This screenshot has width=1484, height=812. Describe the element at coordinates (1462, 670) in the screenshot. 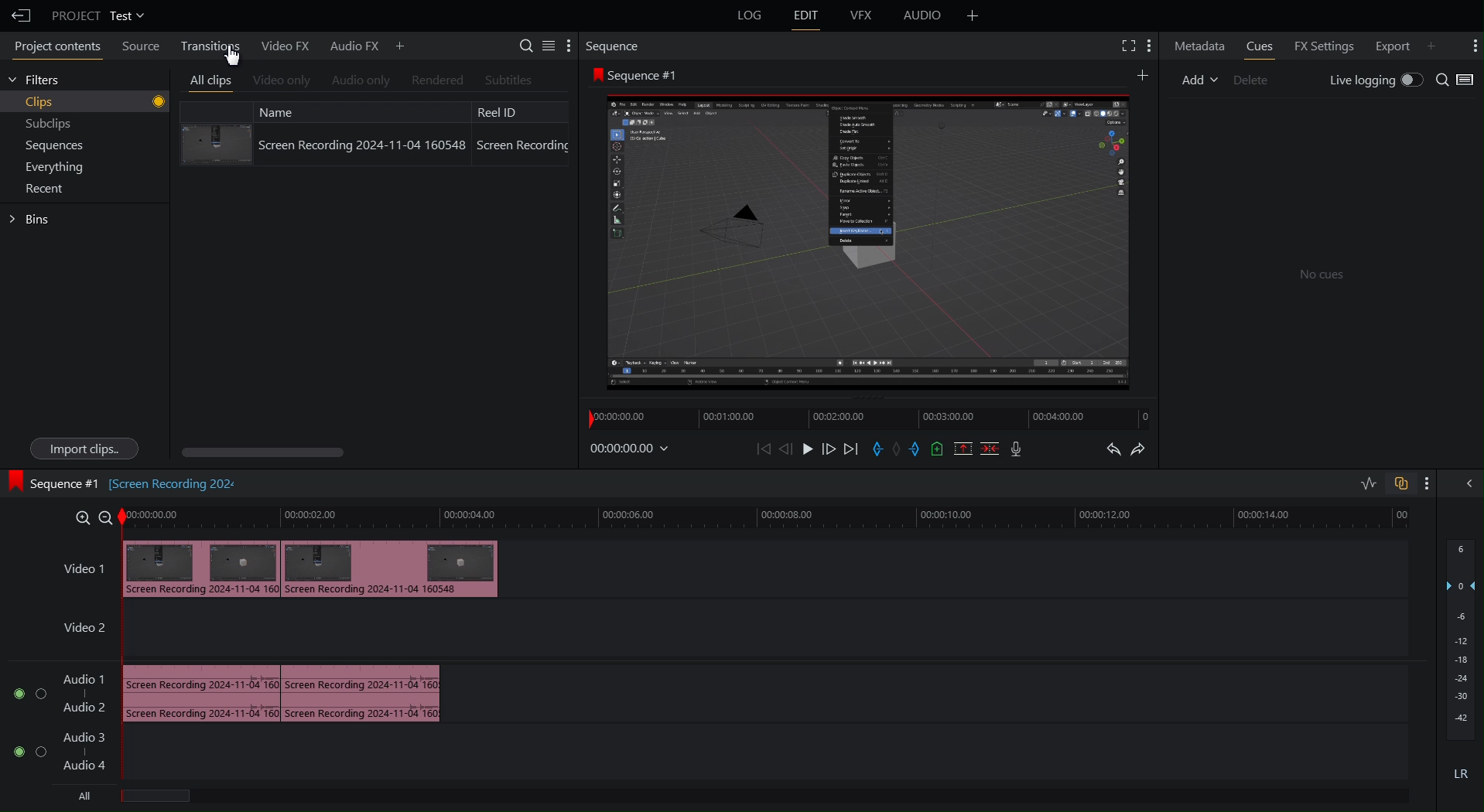

I see `Audio Levels` at that location.